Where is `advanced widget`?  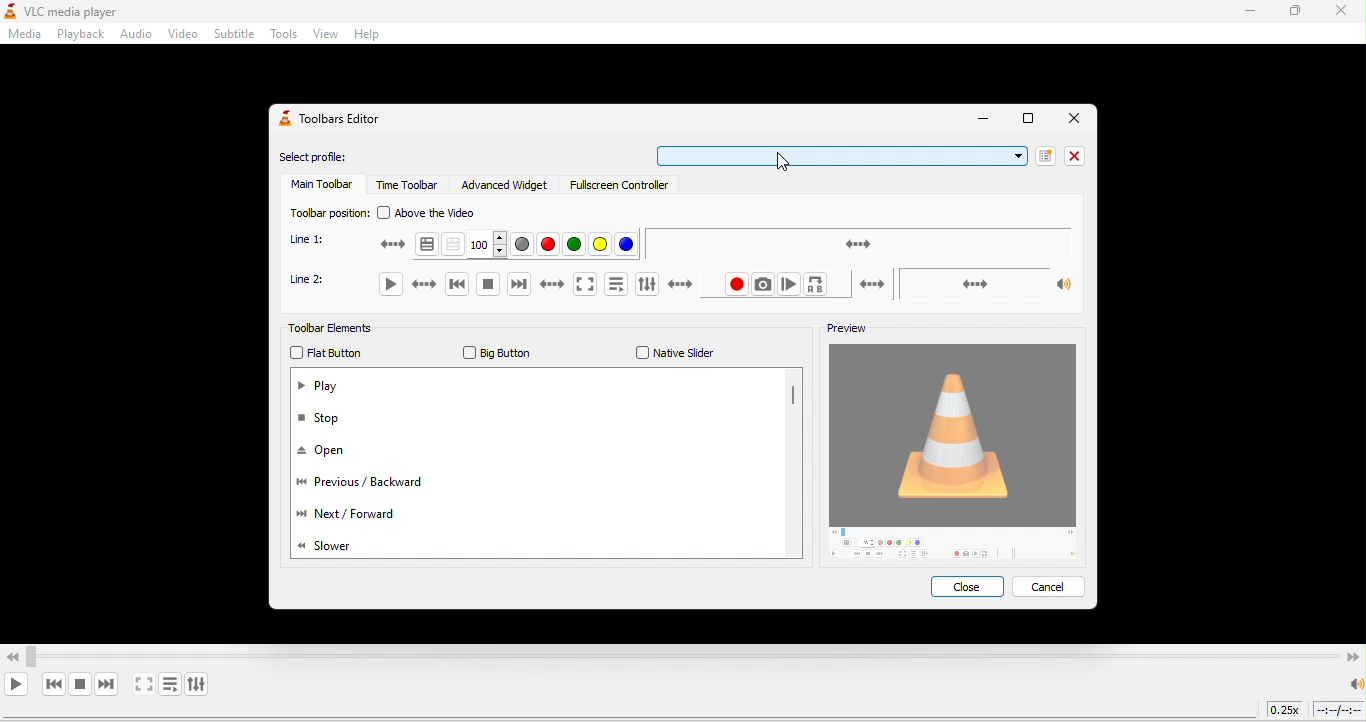 advanced widget is located at coordinates (508, 185).